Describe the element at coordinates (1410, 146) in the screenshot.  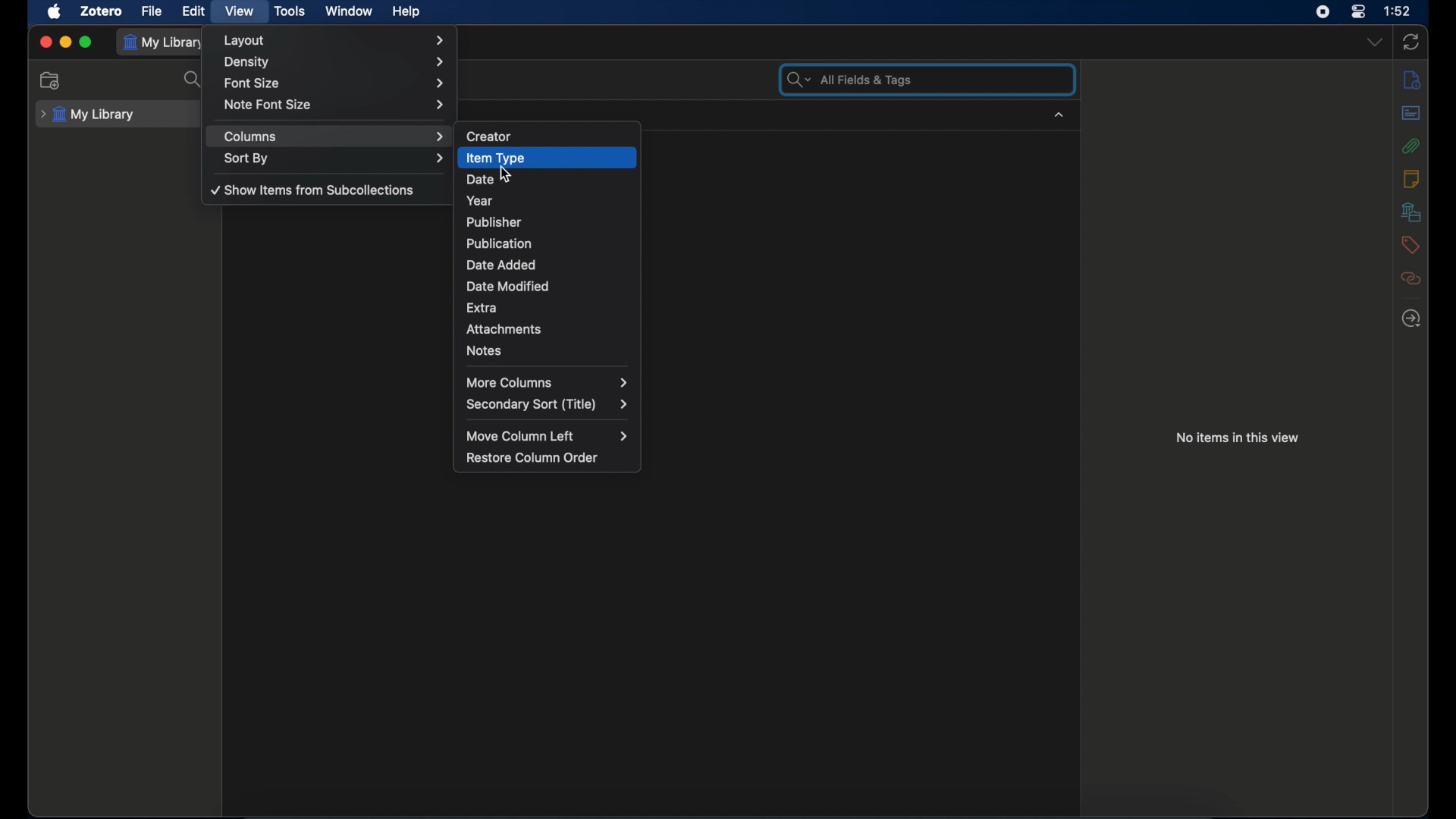
I see `attachments` at that location.